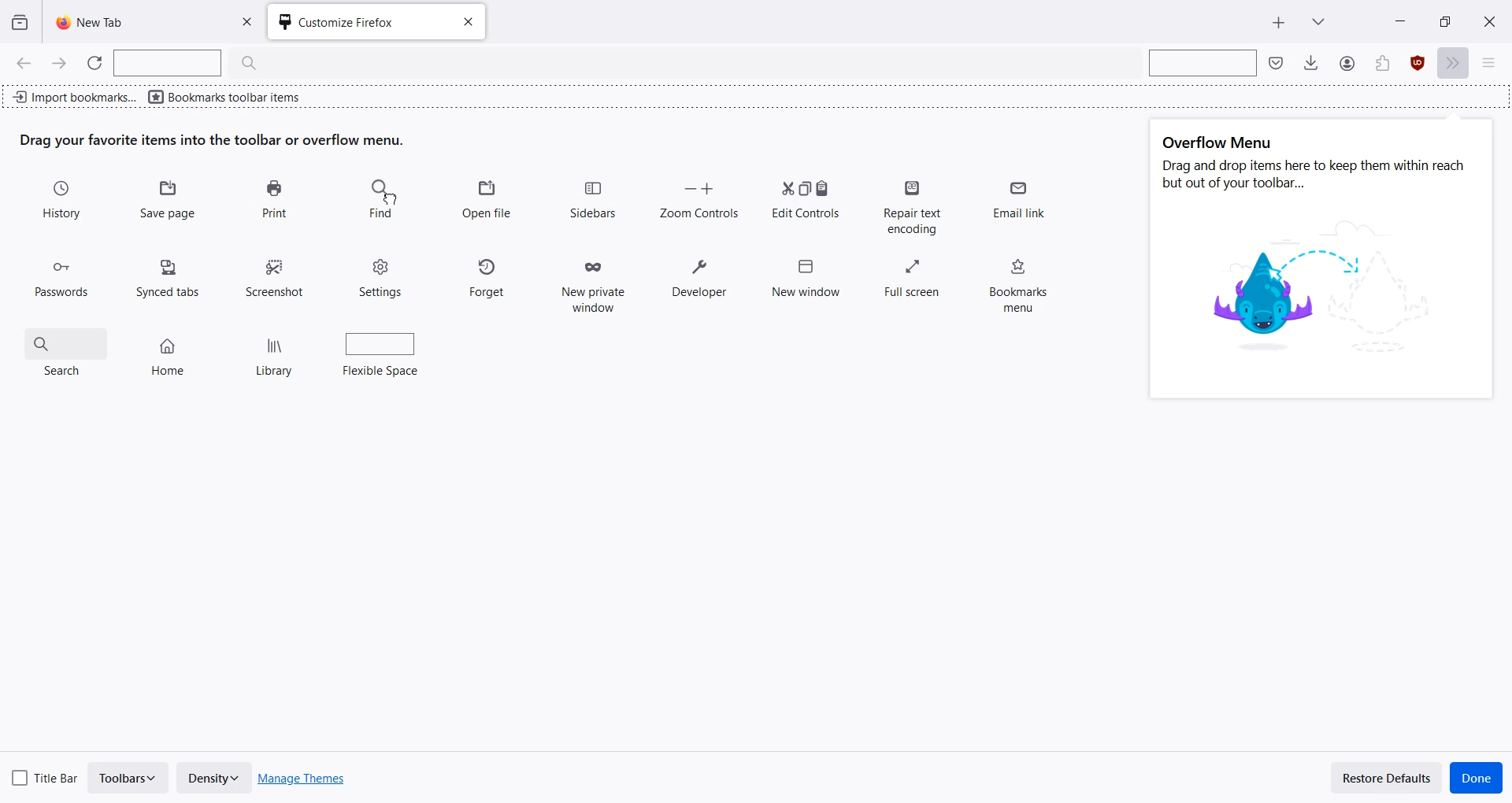 The width and height of the screenshot is (1512, 803). What do you see at coordinates (1495, 64) in the screenshot?
I see `Open Application menu` at bounding box center [1495, 64].